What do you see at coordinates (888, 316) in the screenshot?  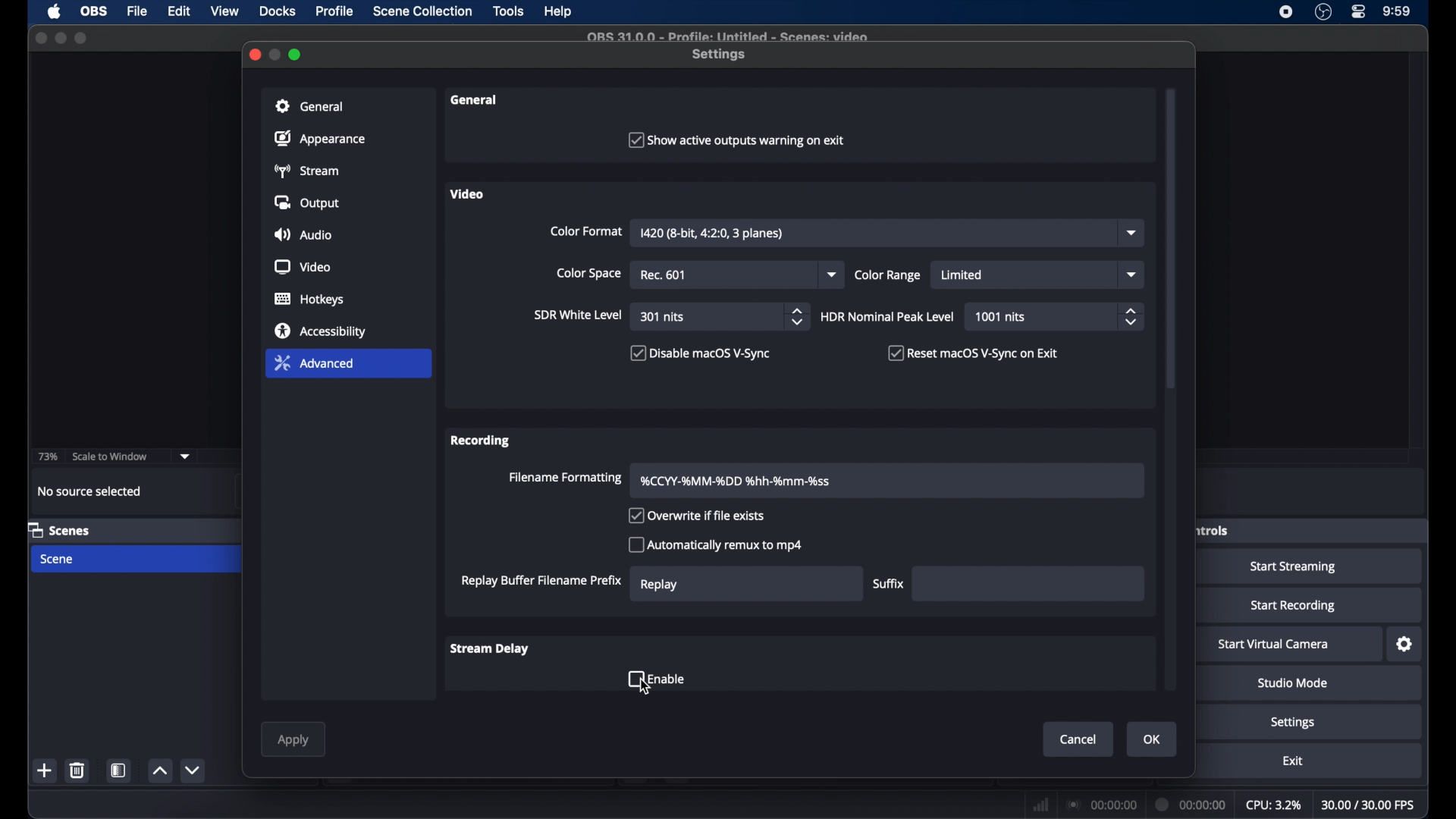 I see `HDR nominal peal level` at bounding box center [888, 316].